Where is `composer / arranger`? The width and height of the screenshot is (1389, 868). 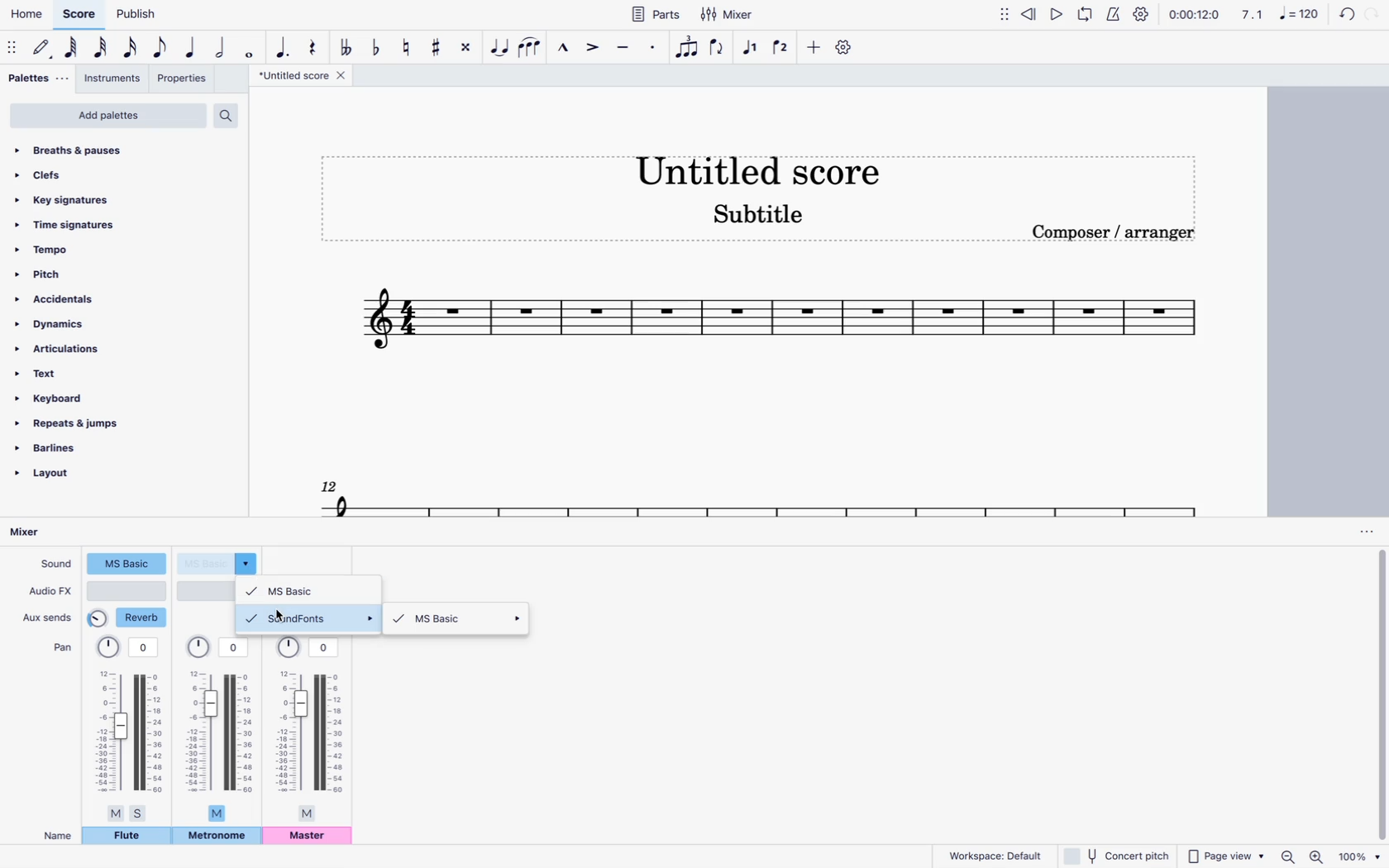 composer / arranger is located at coordinates (1124, 236).